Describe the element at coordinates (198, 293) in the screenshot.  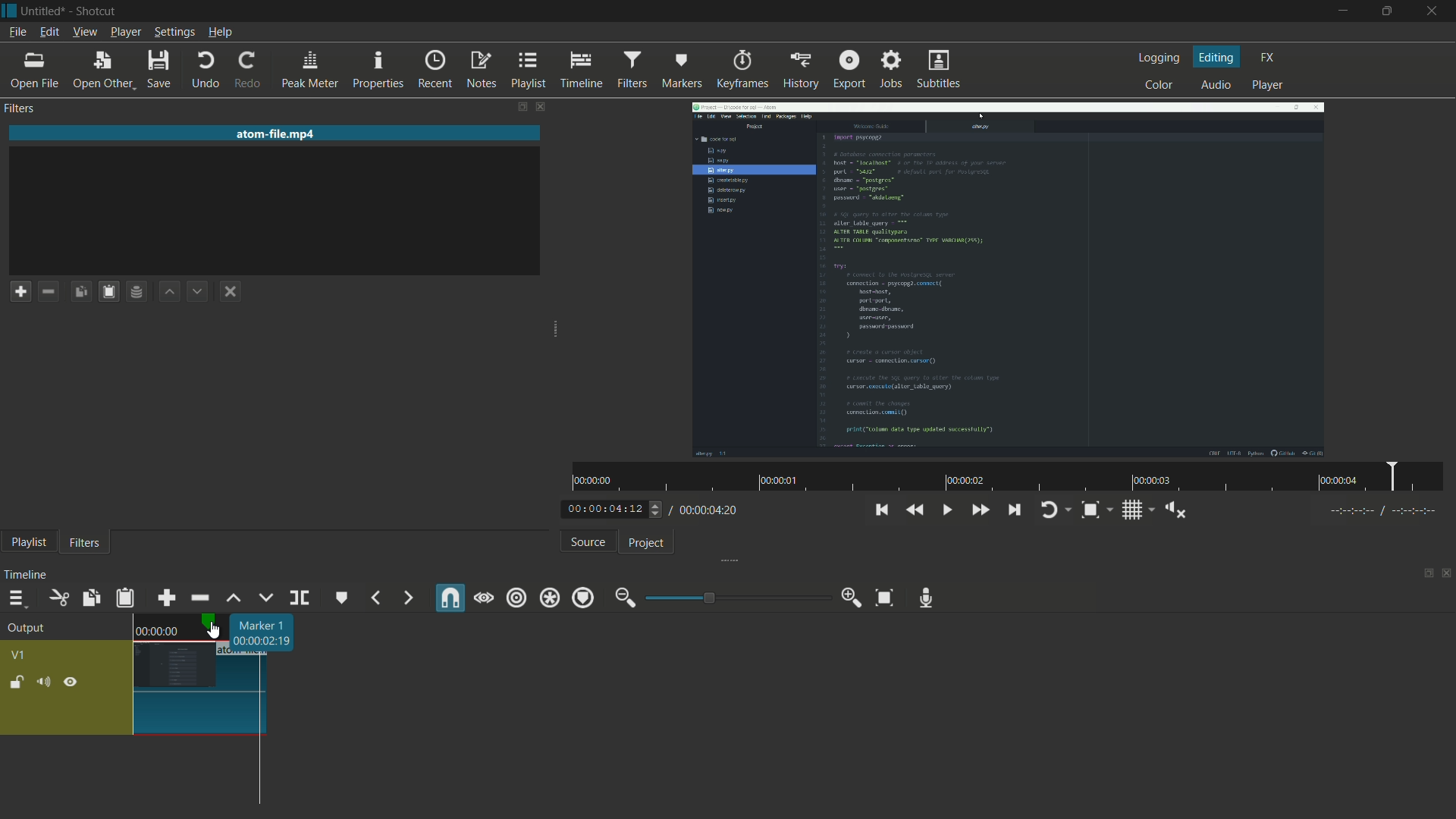
I see `move filter down` at that location.